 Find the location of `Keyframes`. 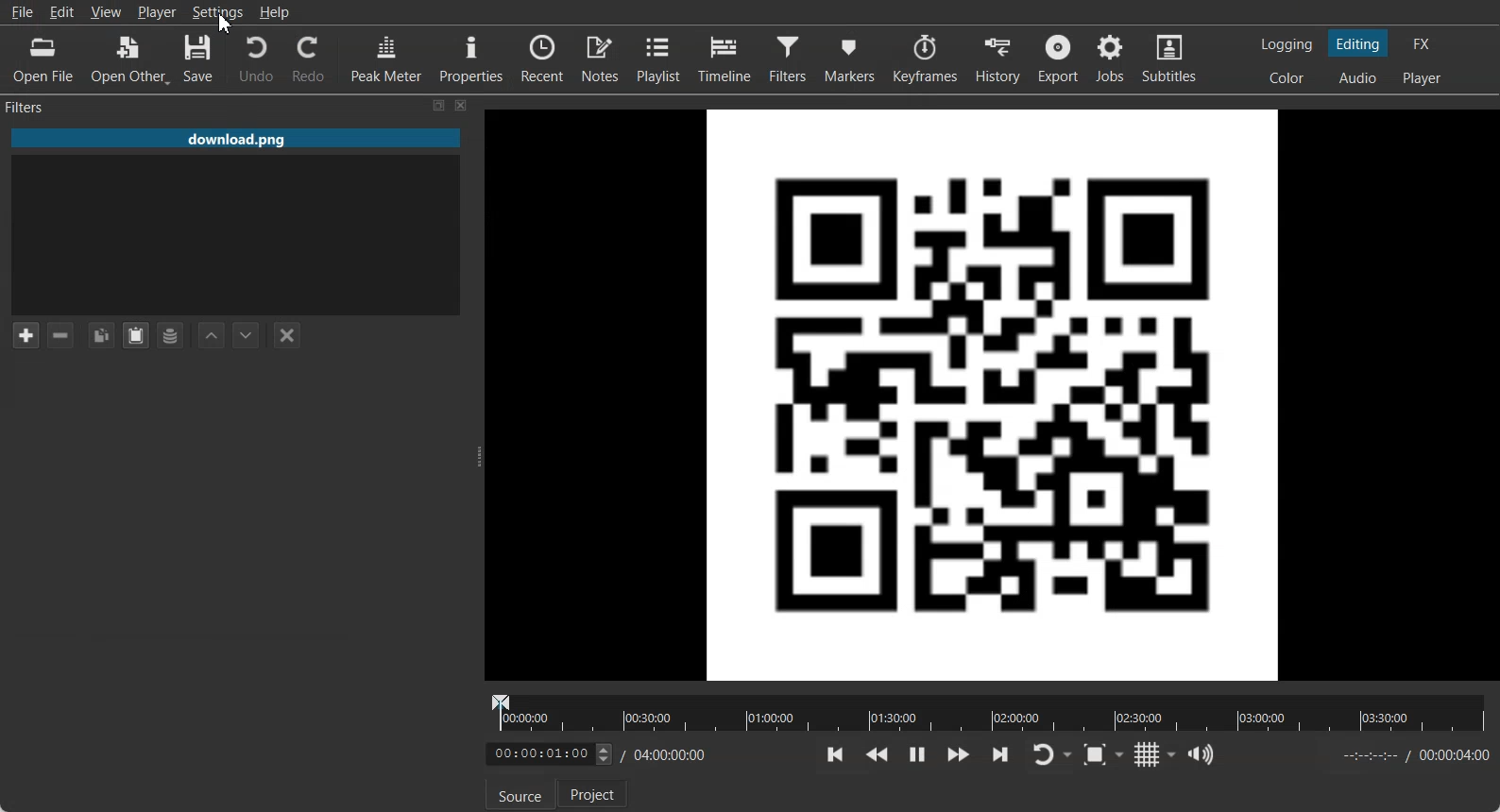

Keyframes is located at coordinates (924, 59).